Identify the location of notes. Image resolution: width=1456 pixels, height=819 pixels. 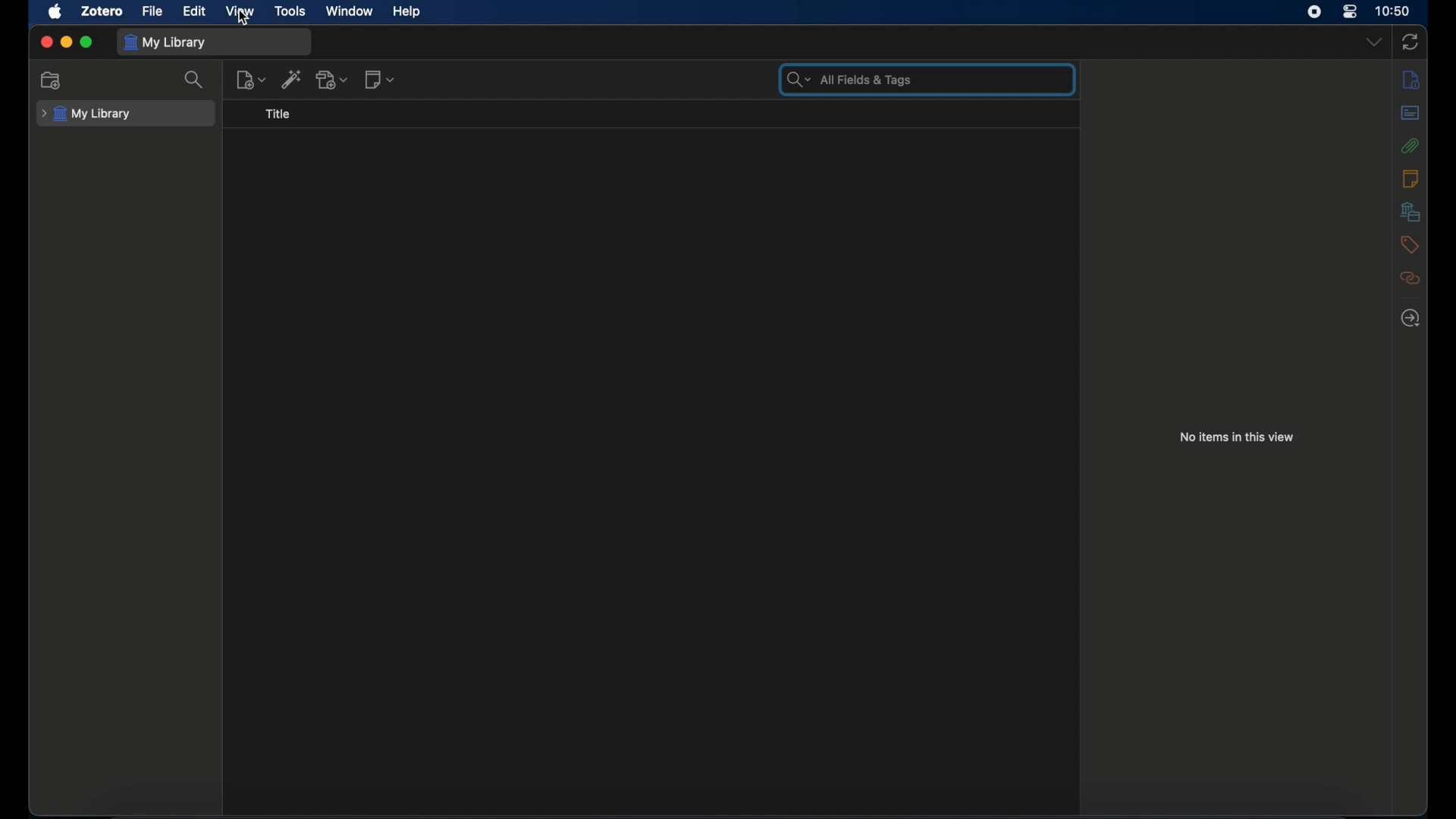
(1411, 178).